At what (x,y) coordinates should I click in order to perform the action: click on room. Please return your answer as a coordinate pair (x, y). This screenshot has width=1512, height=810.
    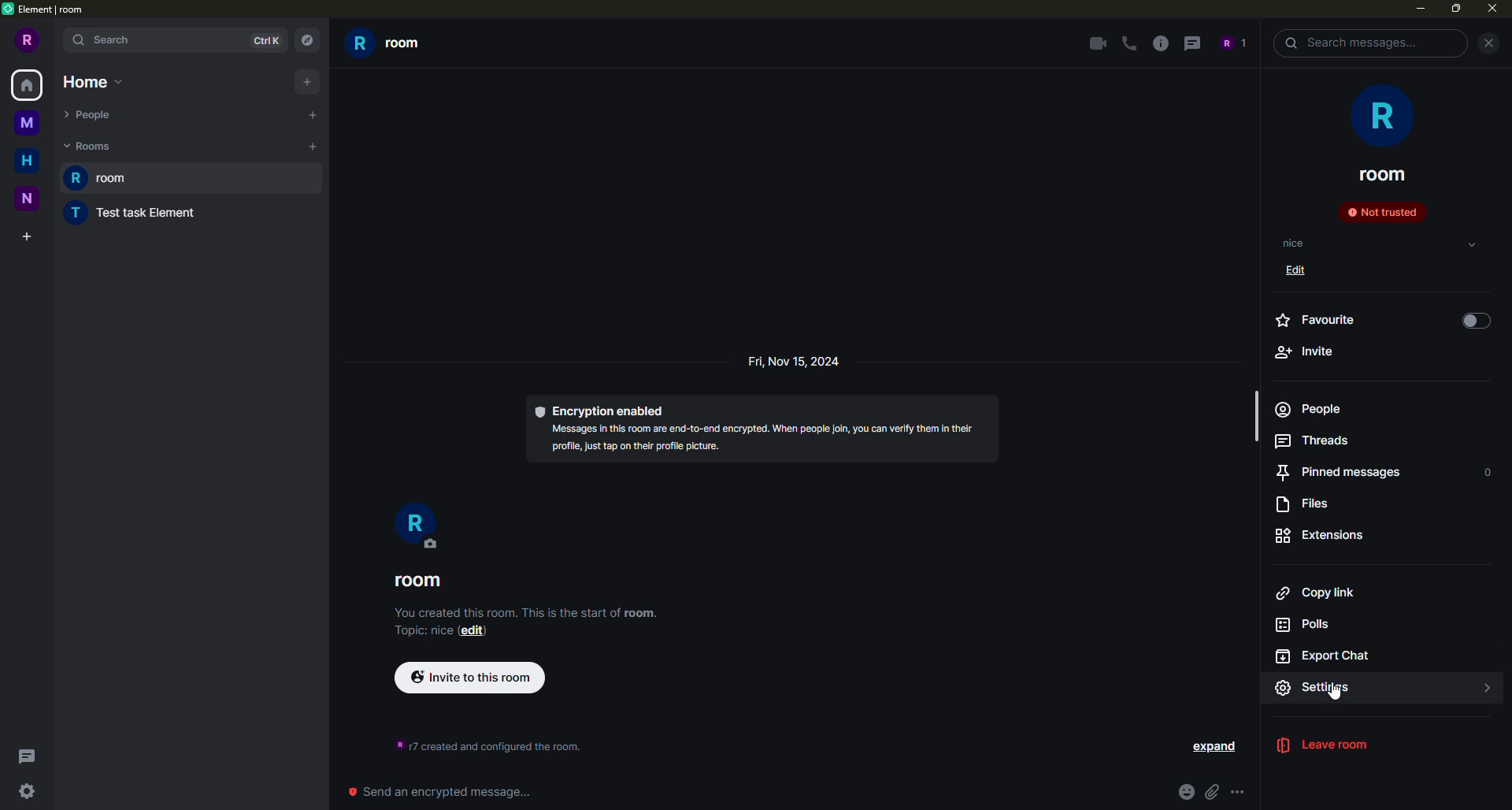
    Looking at the image, I should click on (422, 583).